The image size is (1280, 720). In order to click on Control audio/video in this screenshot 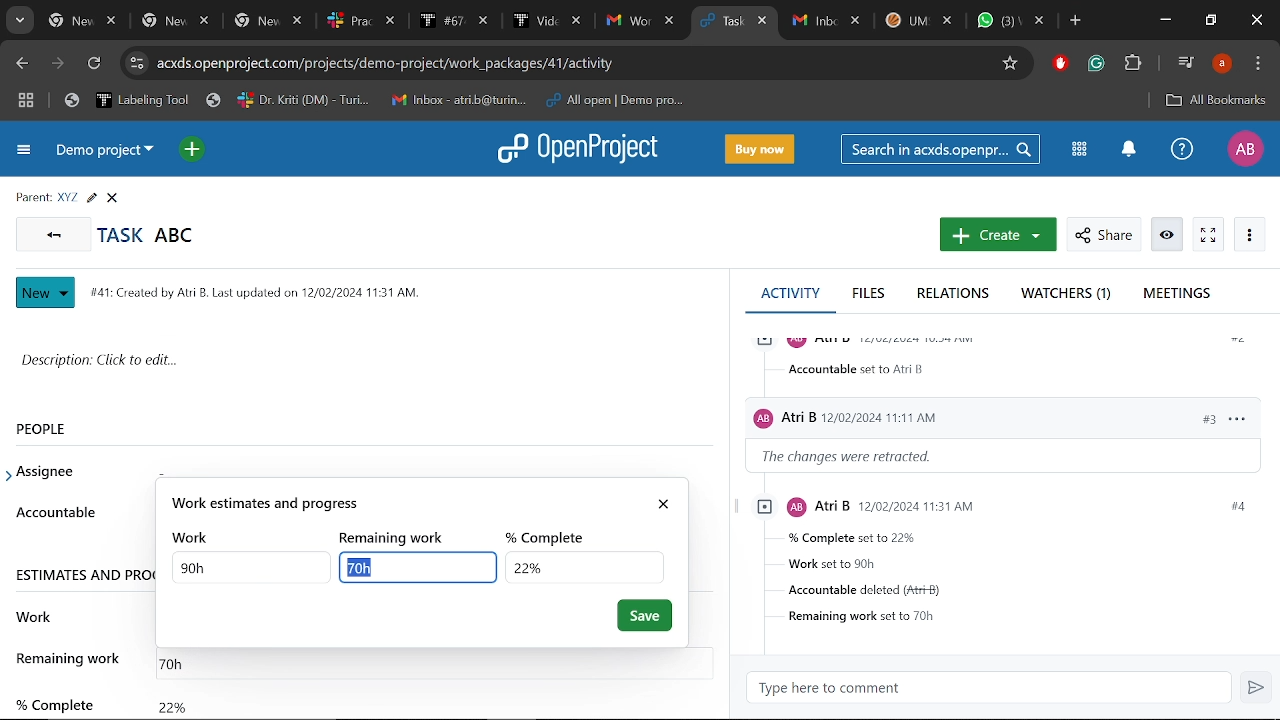, I will do `click(1184, 62)`.